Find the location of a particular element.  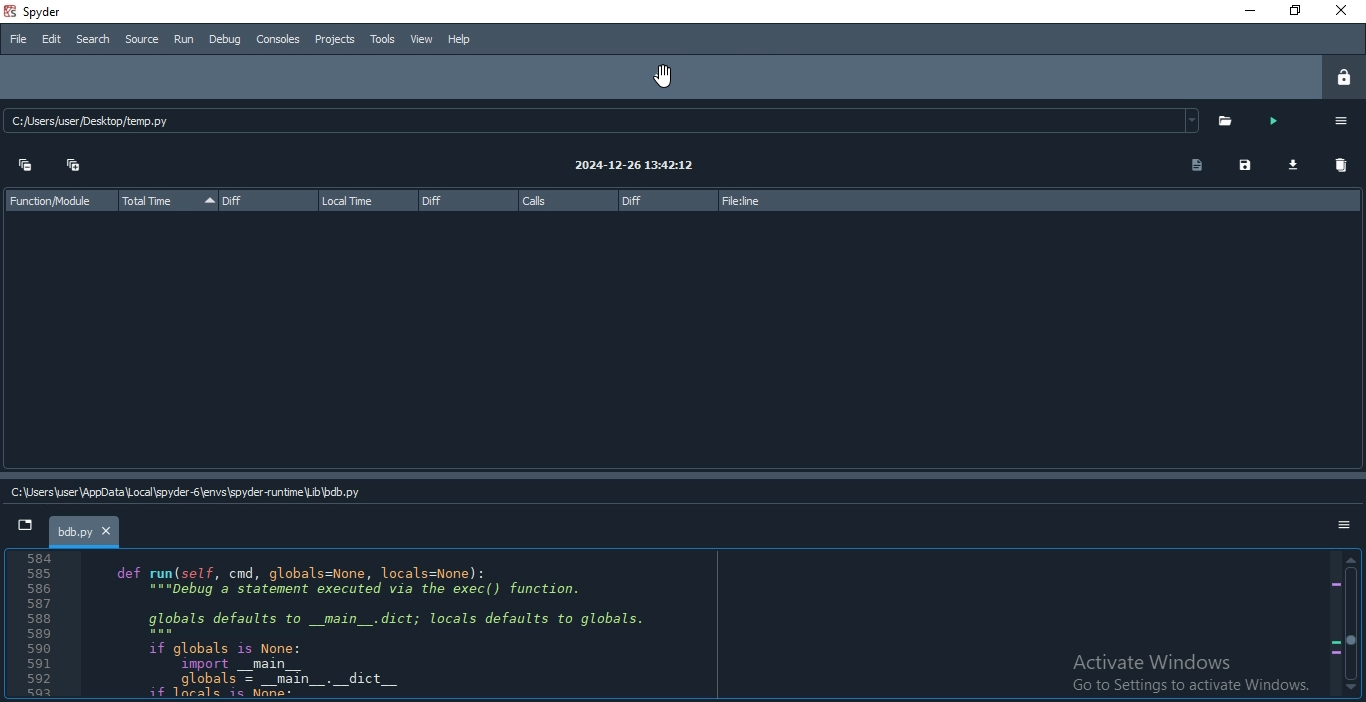

Expand is located at coordinates (79, 164).